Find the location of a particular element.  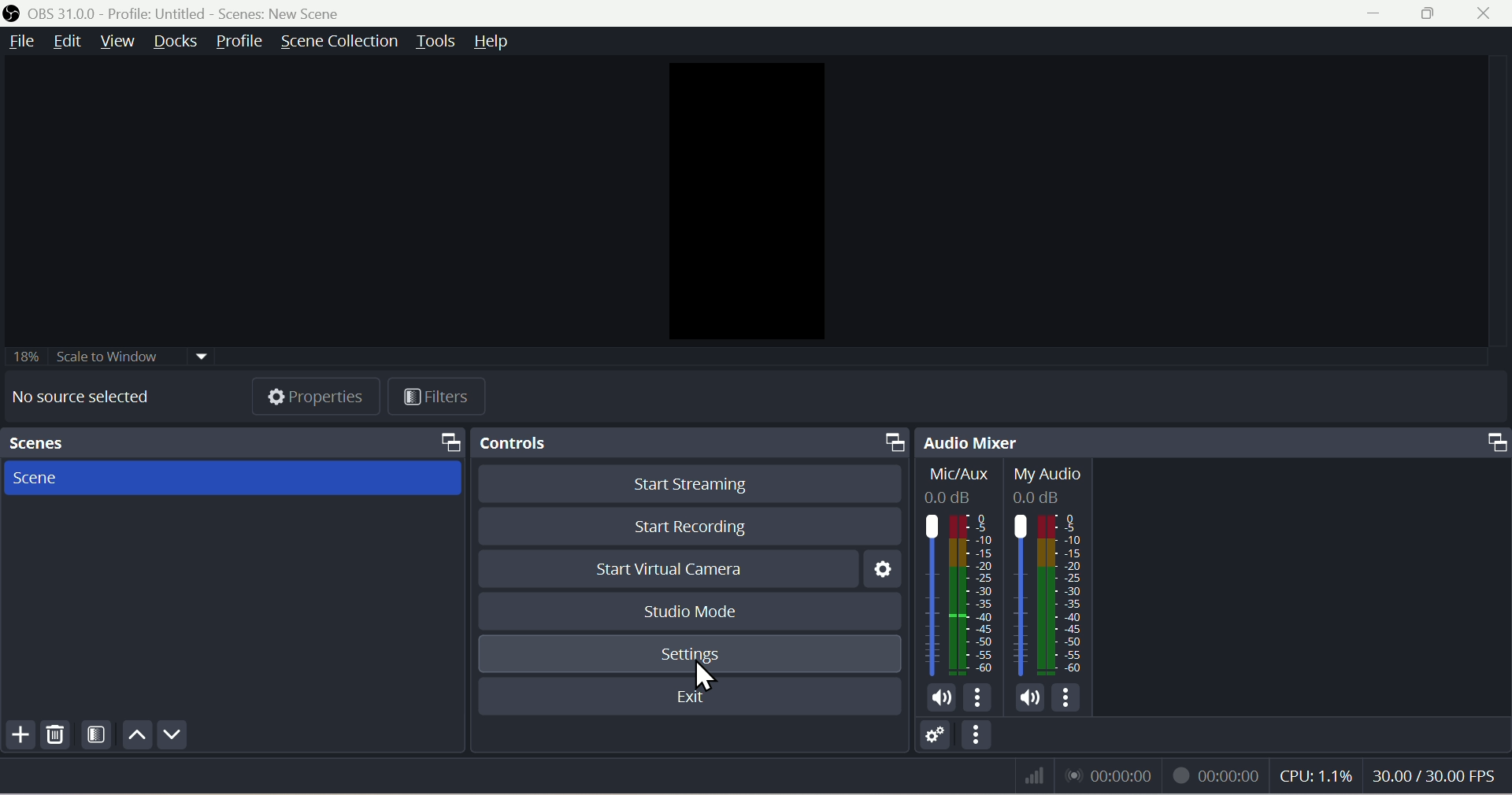

View is located at coordinates (121, 46).